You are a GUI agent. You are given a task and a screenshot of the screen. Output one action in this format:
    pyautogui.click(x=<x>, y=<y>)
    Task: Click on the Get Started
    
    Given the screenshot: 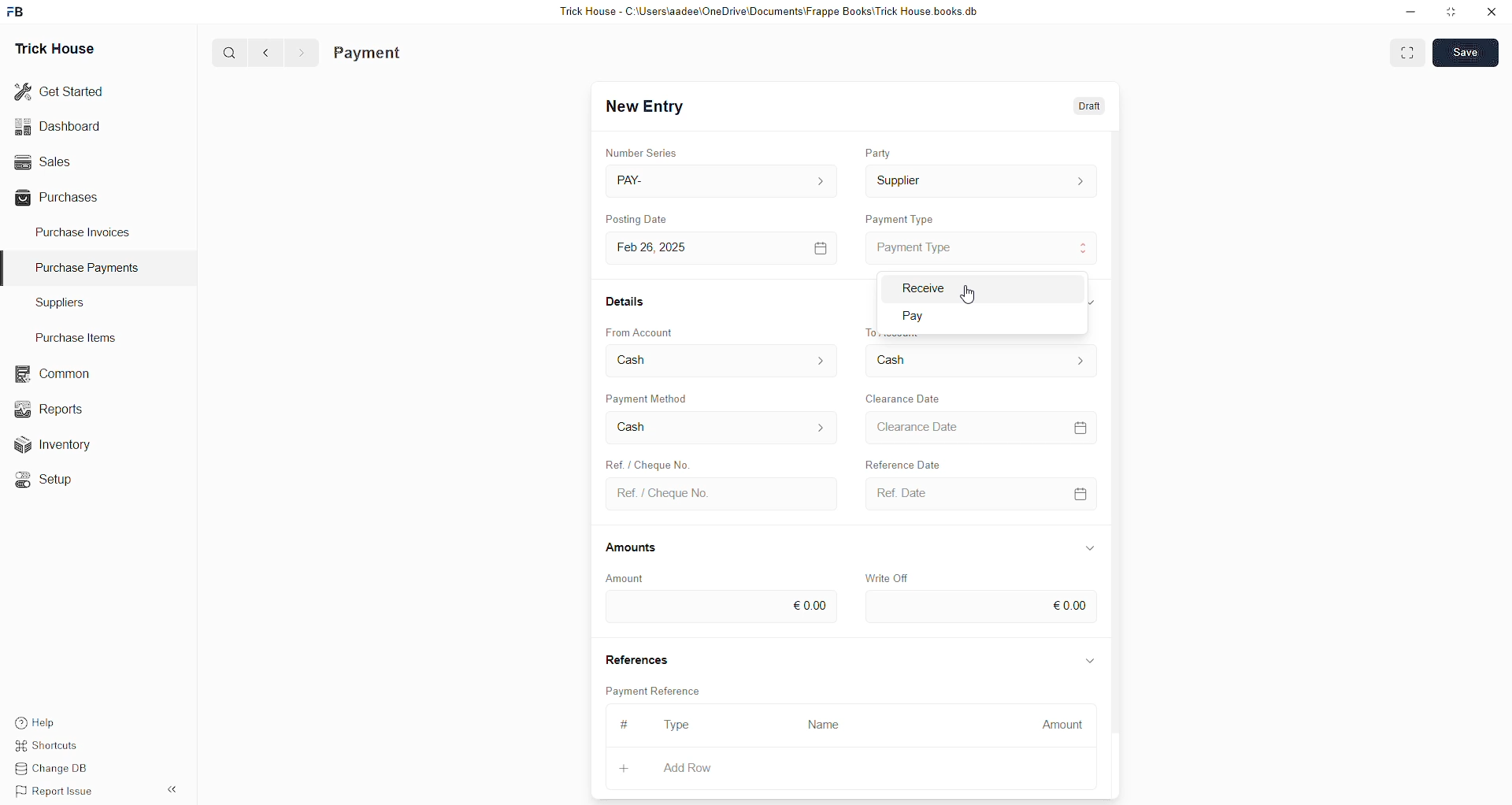 What is the action you would take?
    pyautogui.click(x=62, y=90)
    